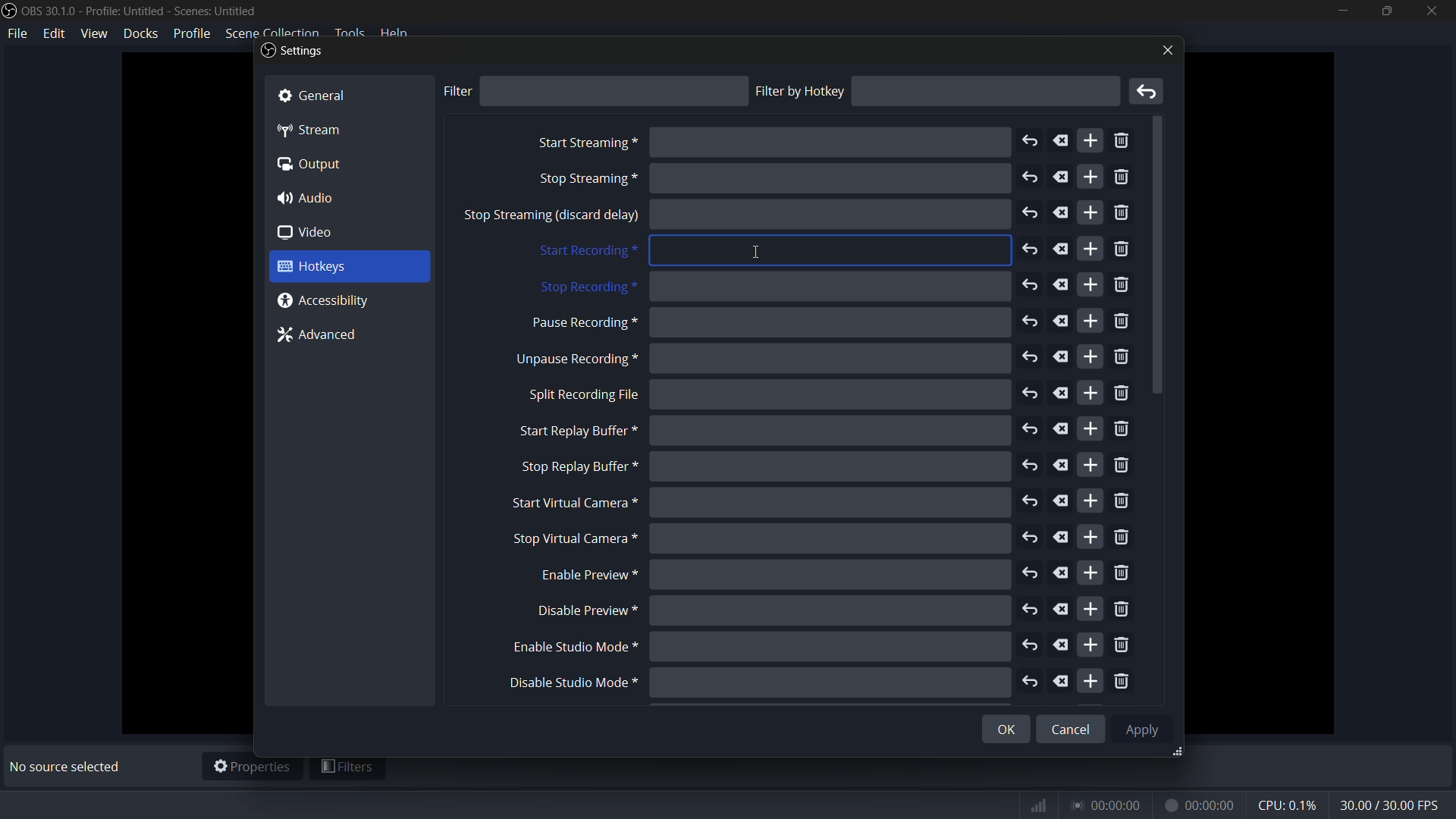  What do you see at coordinates (271, 33) in the screenshot?
I see `scene collection menu` at bounding box center [271, 33].